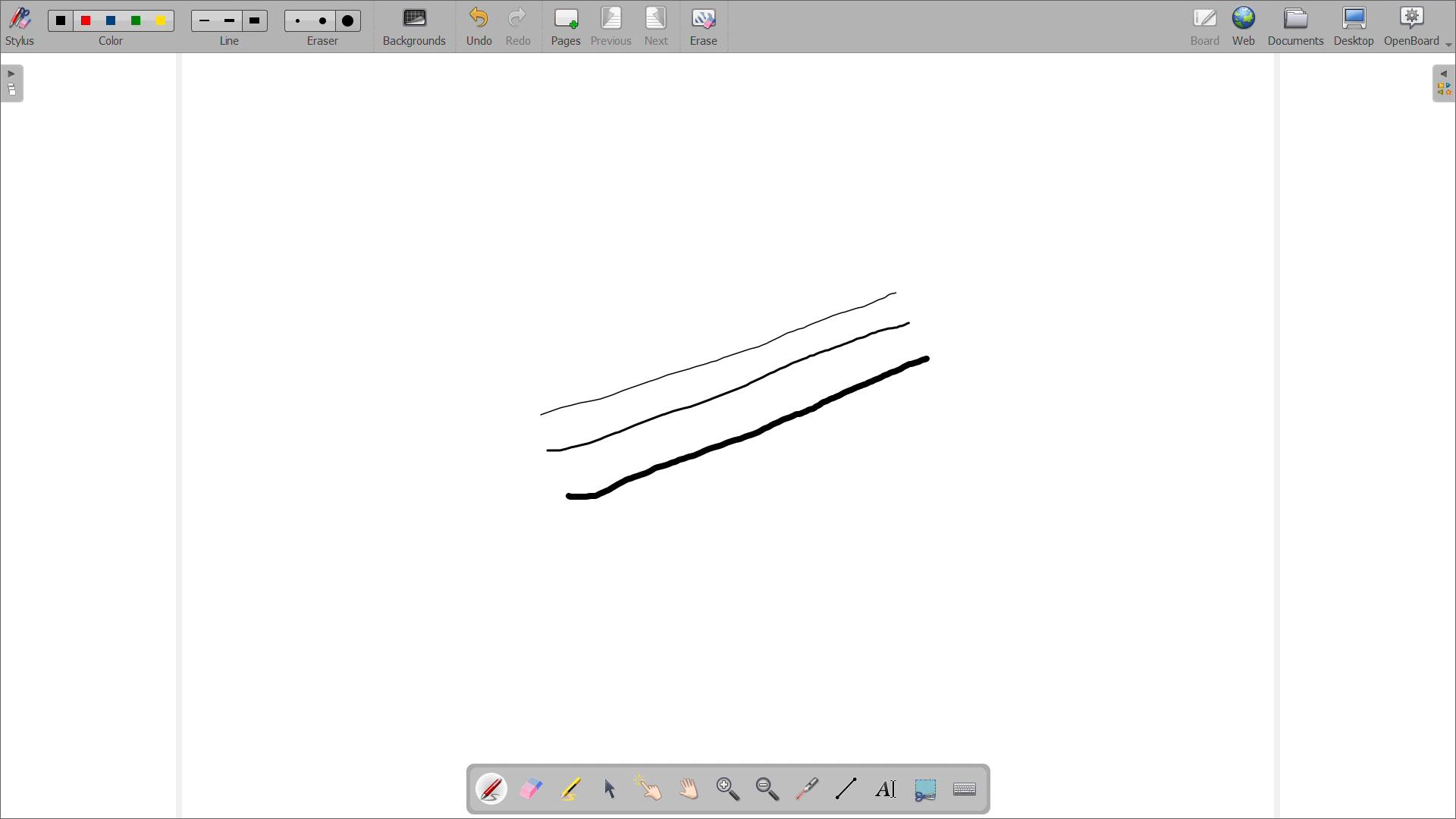 This screenshot has width=1456, height=819. I want to click on scroll page, so click(689, 788).